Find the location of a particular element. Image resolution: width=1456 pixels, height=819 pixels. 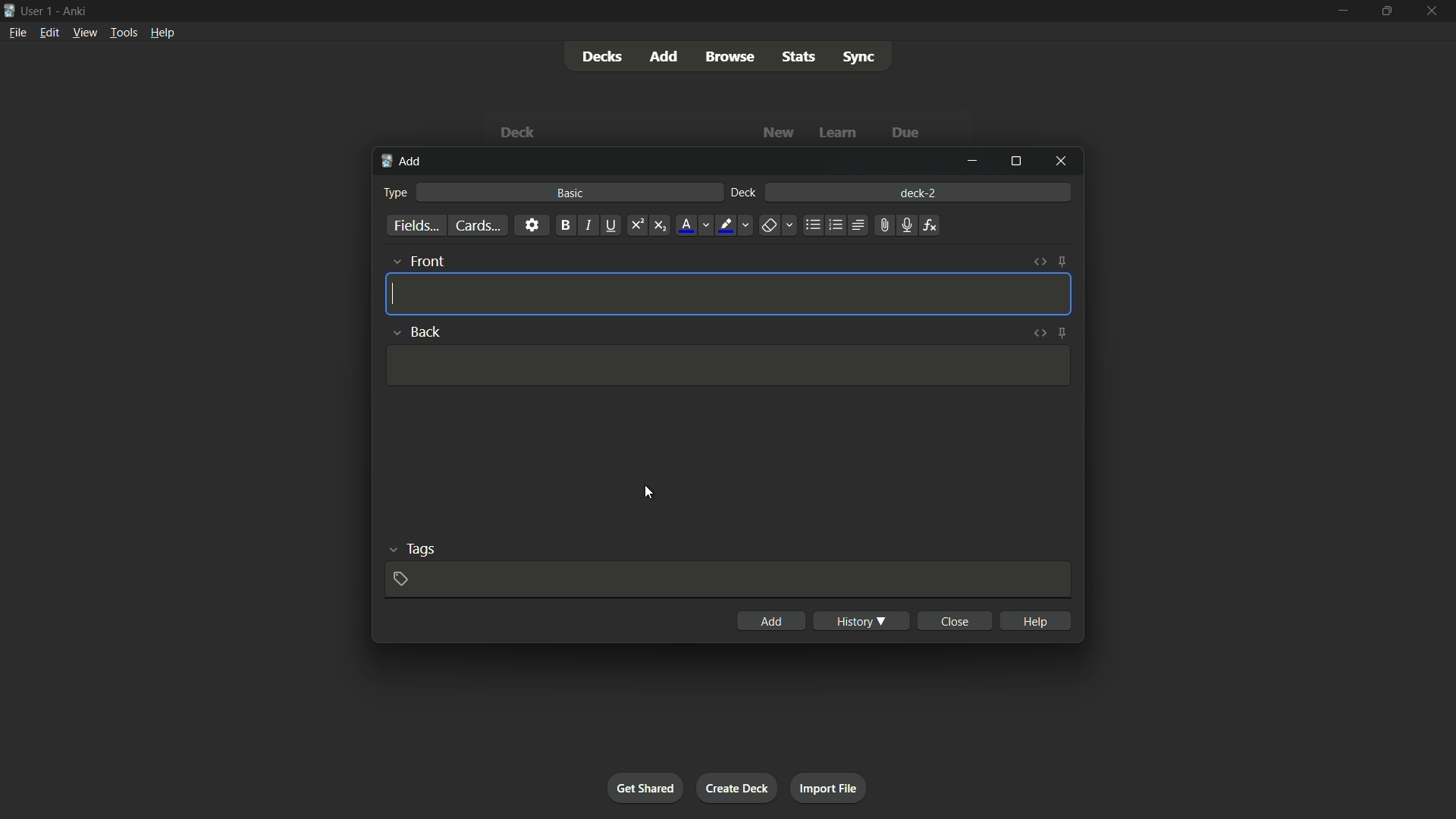

superscript is located at coordinates (637, 226).